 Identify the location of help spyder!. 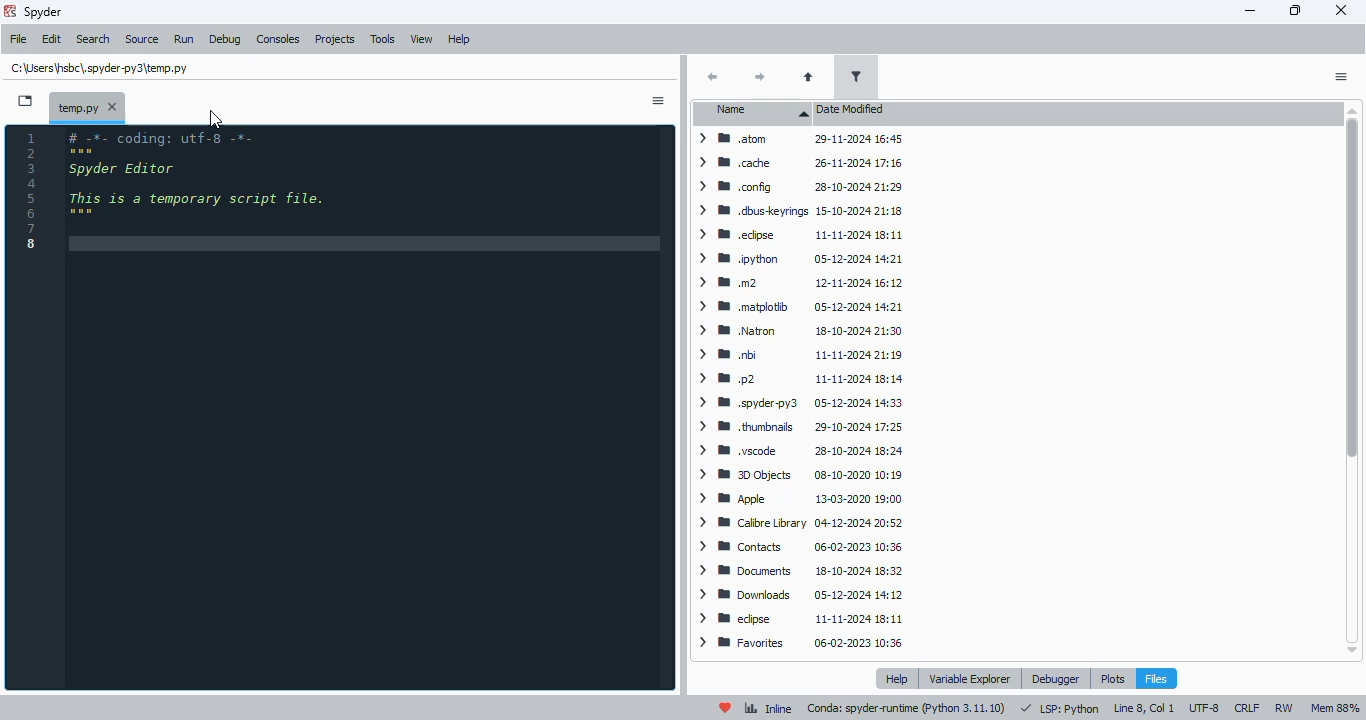
(726, 708).